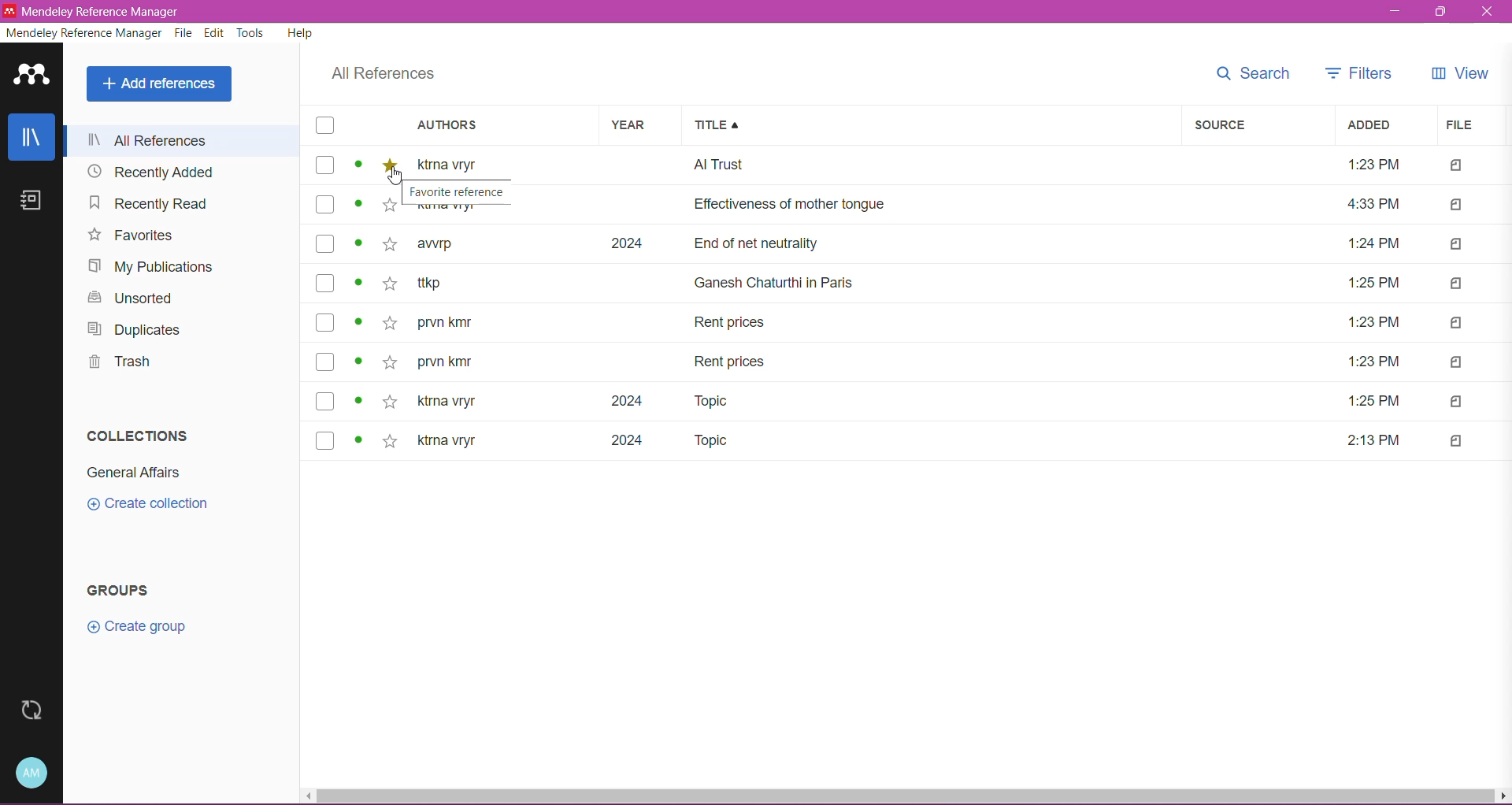 The width and height of the screenshot is (1512, 805). What do you see at coordinates (325, 283) in the screenshot?
I see `Click to select` at bounding box center [325, 283].